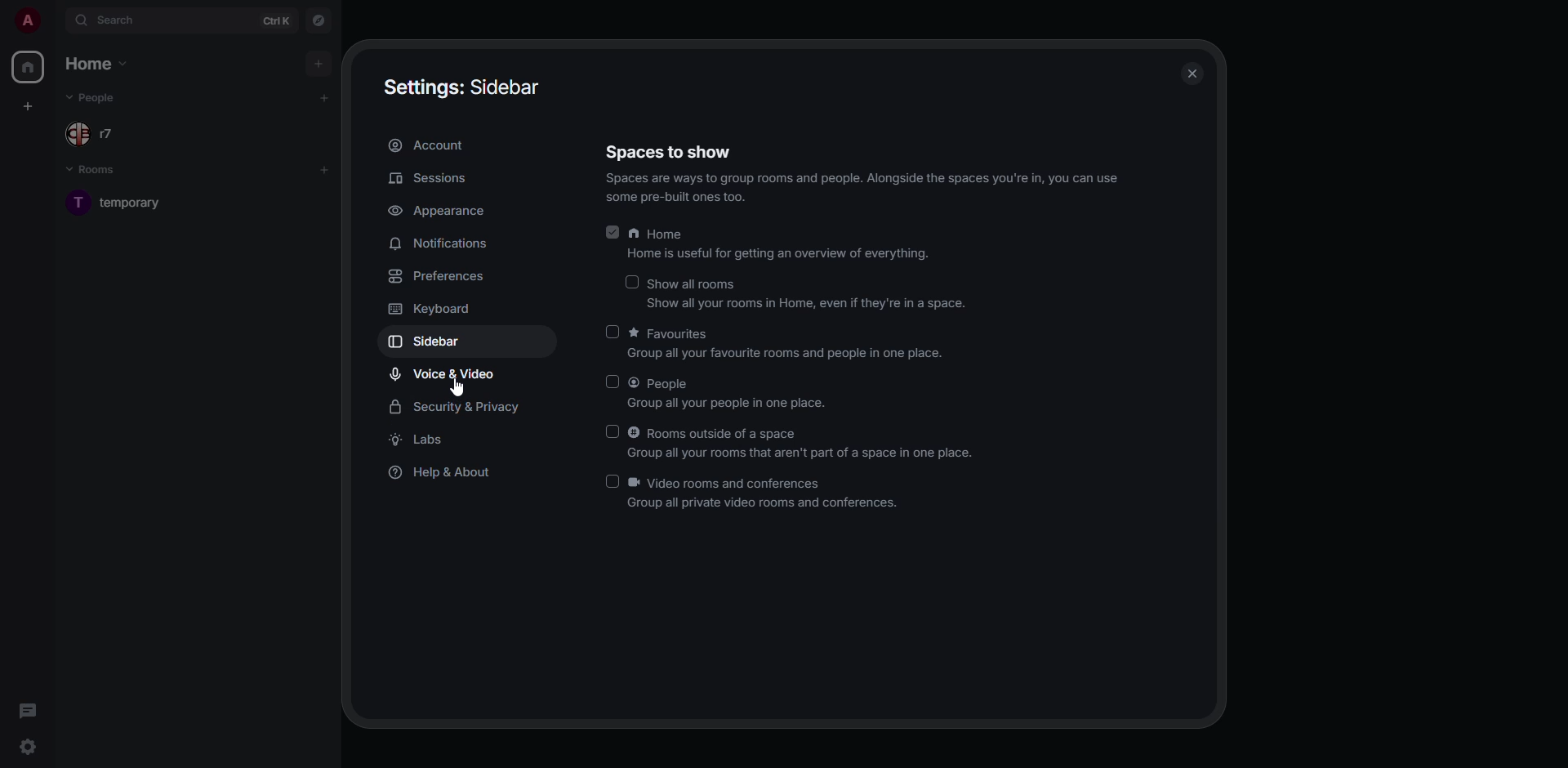 The image size is (1568, 768). I want to click on close, so click(1196, 74).